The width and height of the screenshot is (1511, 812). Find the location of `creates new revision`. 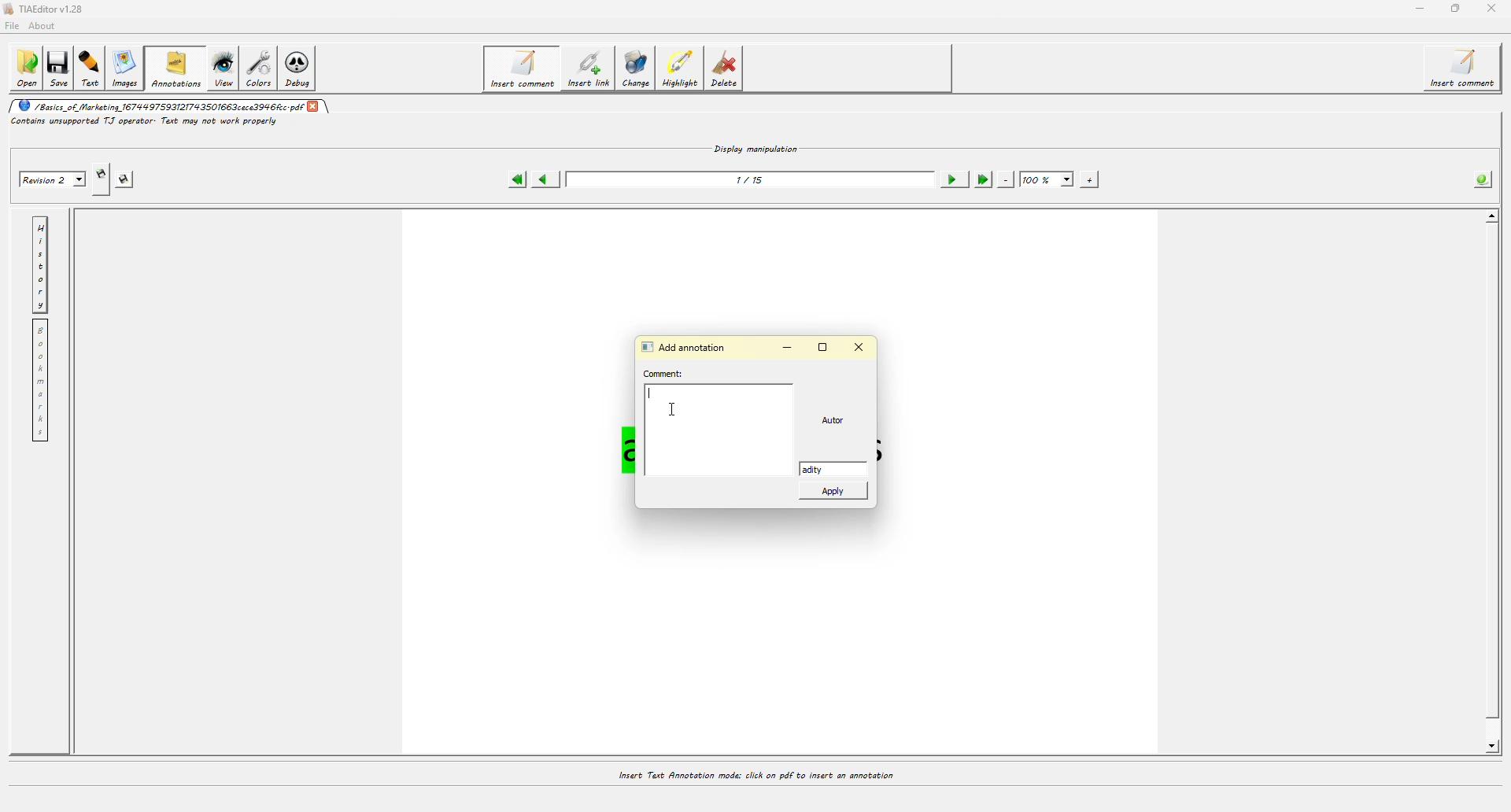

creates new revision is located at coordinates (100, 179).